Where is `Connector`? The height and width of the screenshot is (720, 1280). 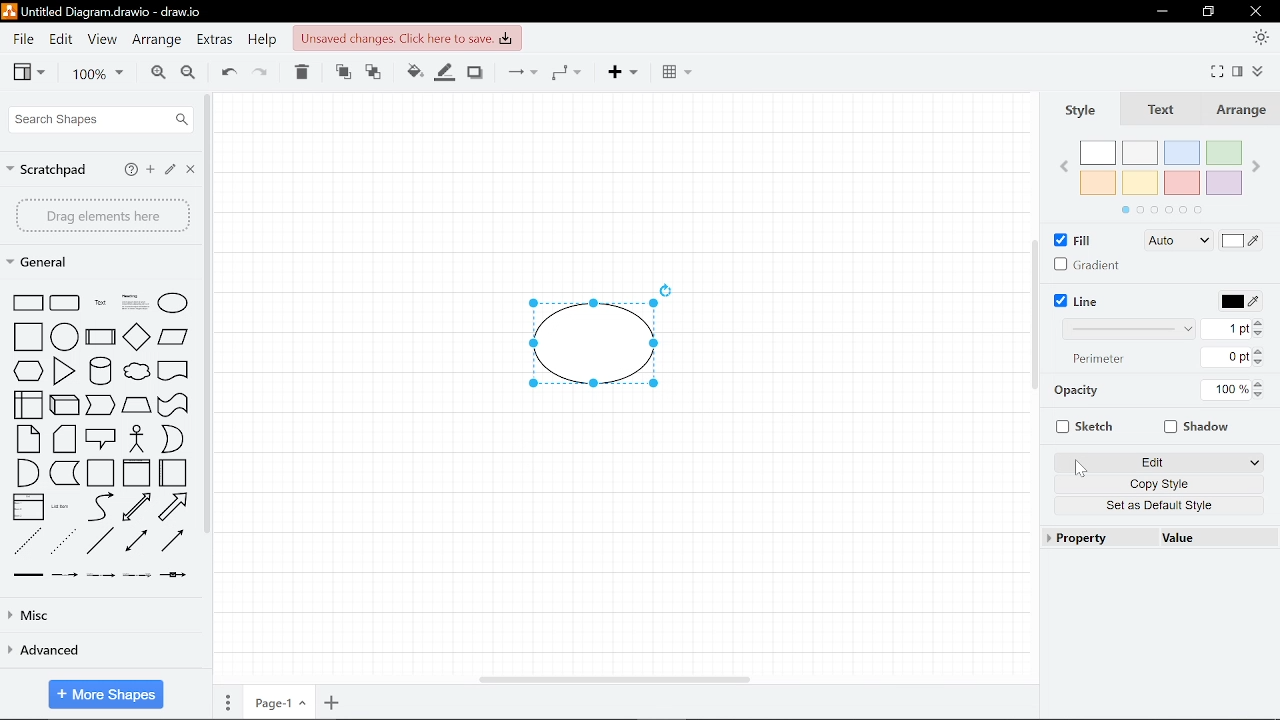
Connector is located at coordinates (518, 71).